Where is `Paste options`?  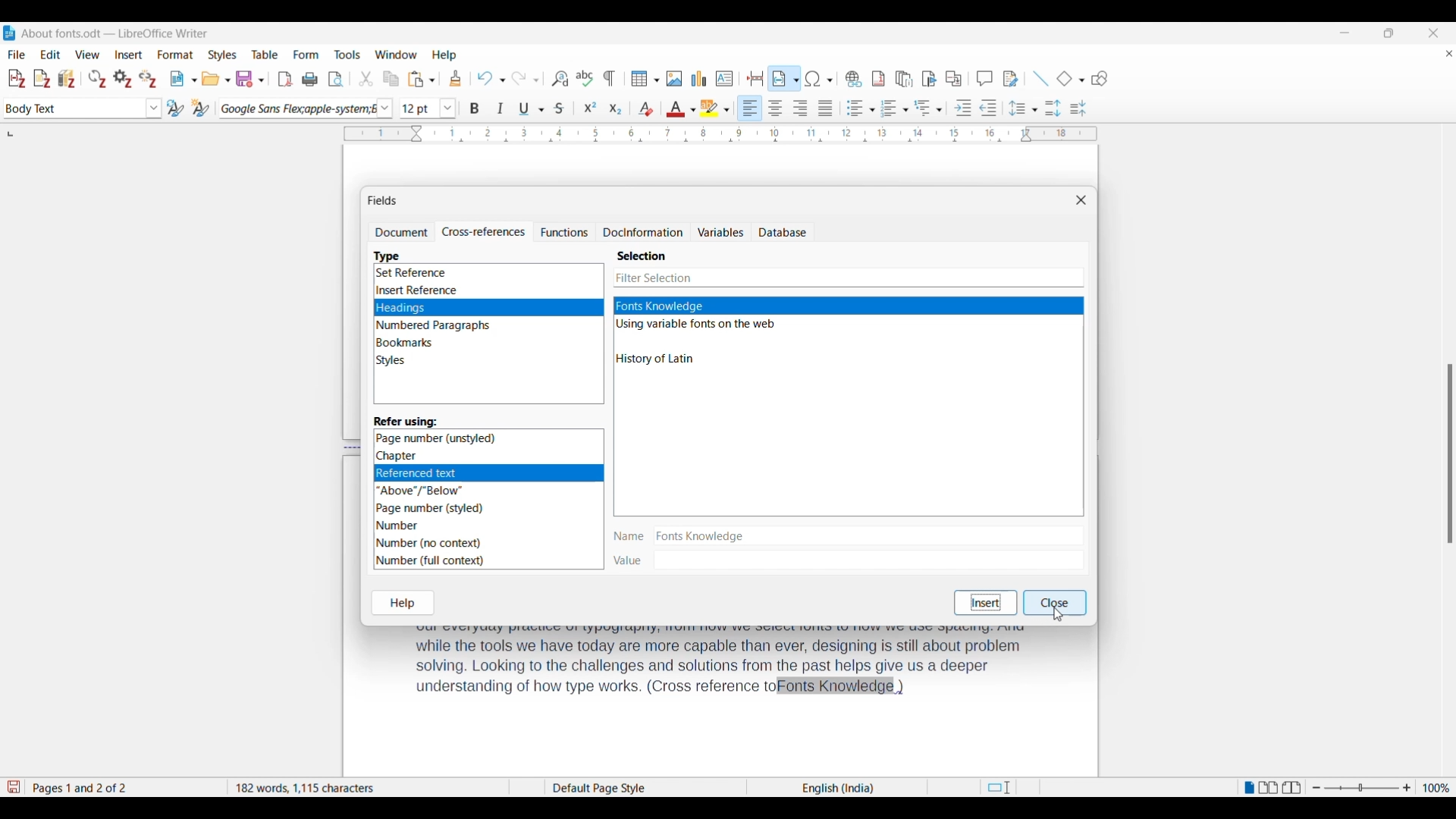
Paste options is located at coordinates (422, 79).